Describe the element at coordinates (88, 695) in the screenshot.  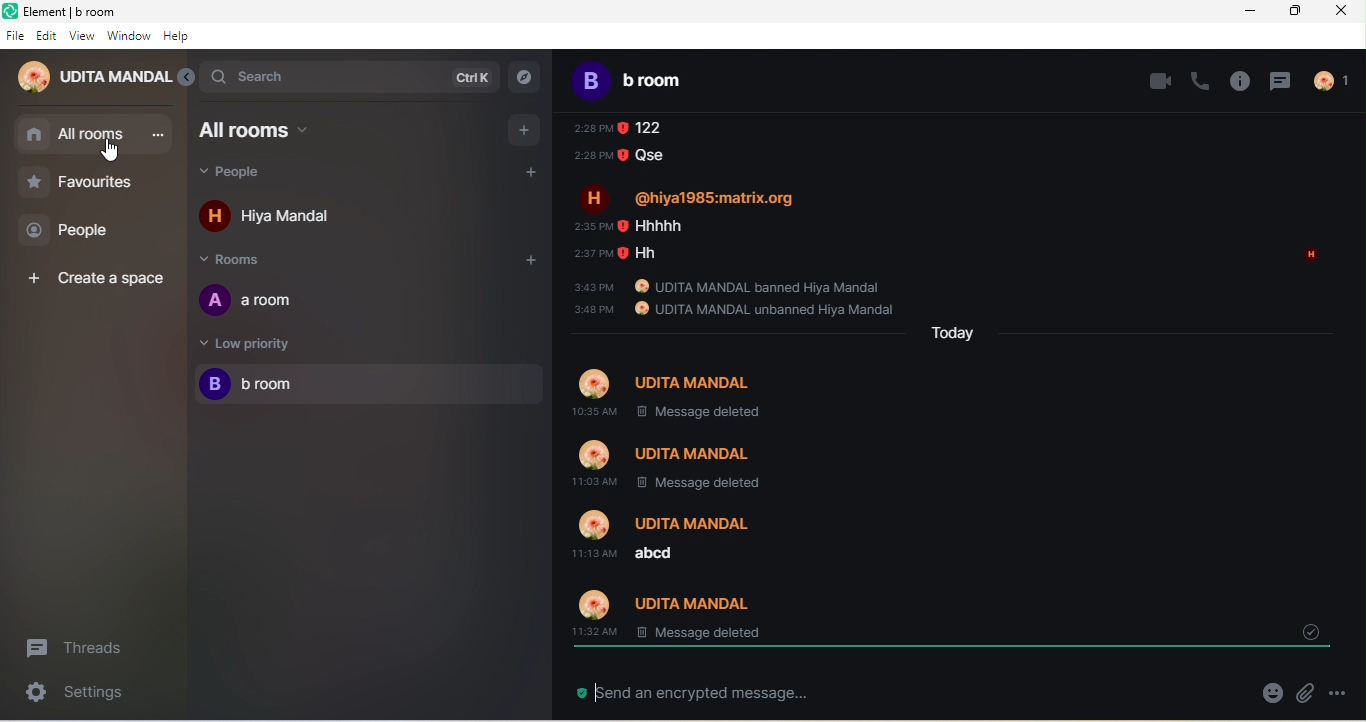
I see `seetings` at that location.